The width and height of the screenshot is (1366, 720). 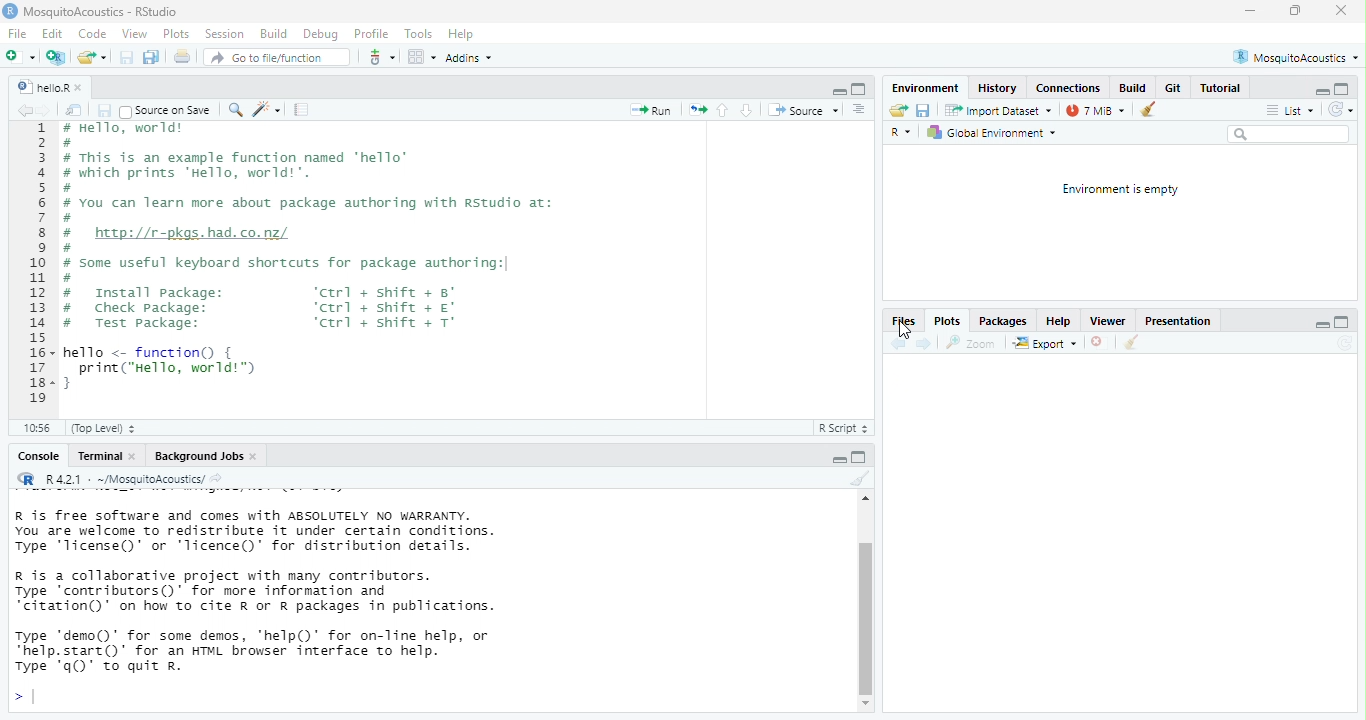 I want to click on  Go to file/function, so click(x=276, y=58).